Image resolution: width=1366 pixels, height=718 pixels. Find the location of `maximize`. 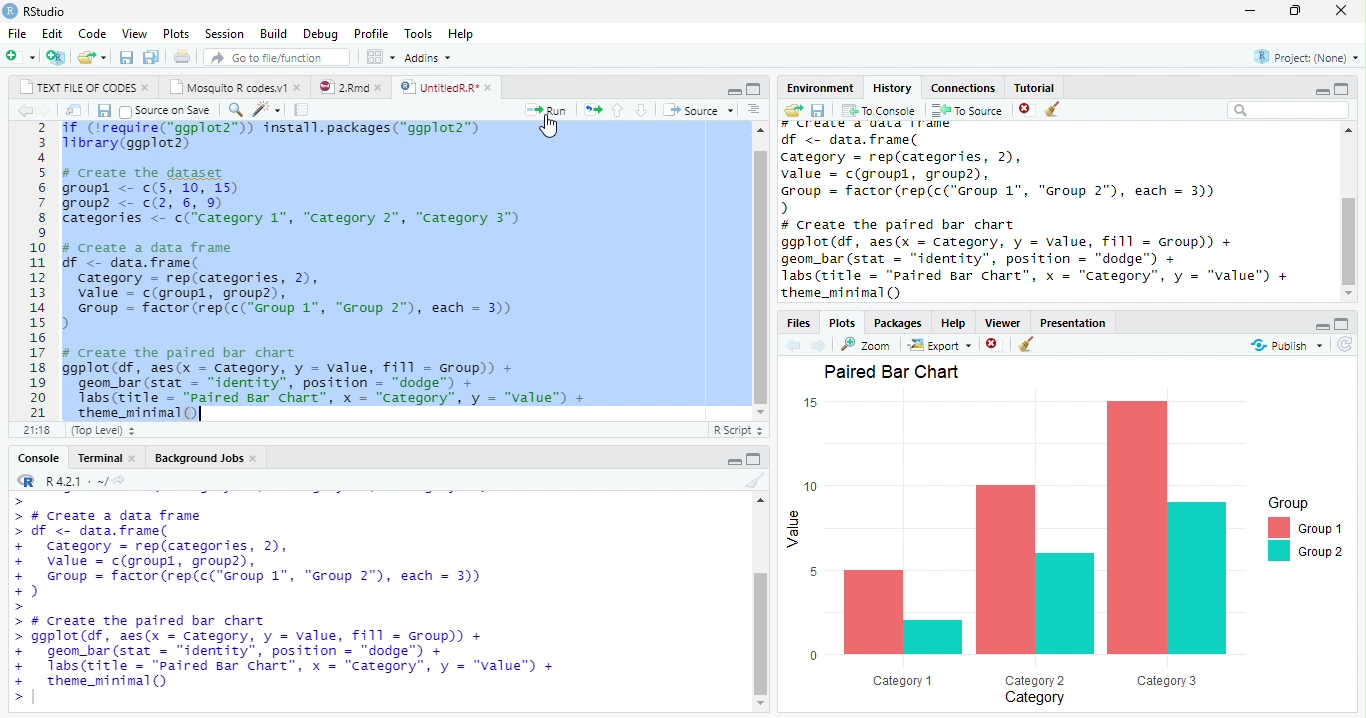

maximize is located at coordinates (1343, 325).